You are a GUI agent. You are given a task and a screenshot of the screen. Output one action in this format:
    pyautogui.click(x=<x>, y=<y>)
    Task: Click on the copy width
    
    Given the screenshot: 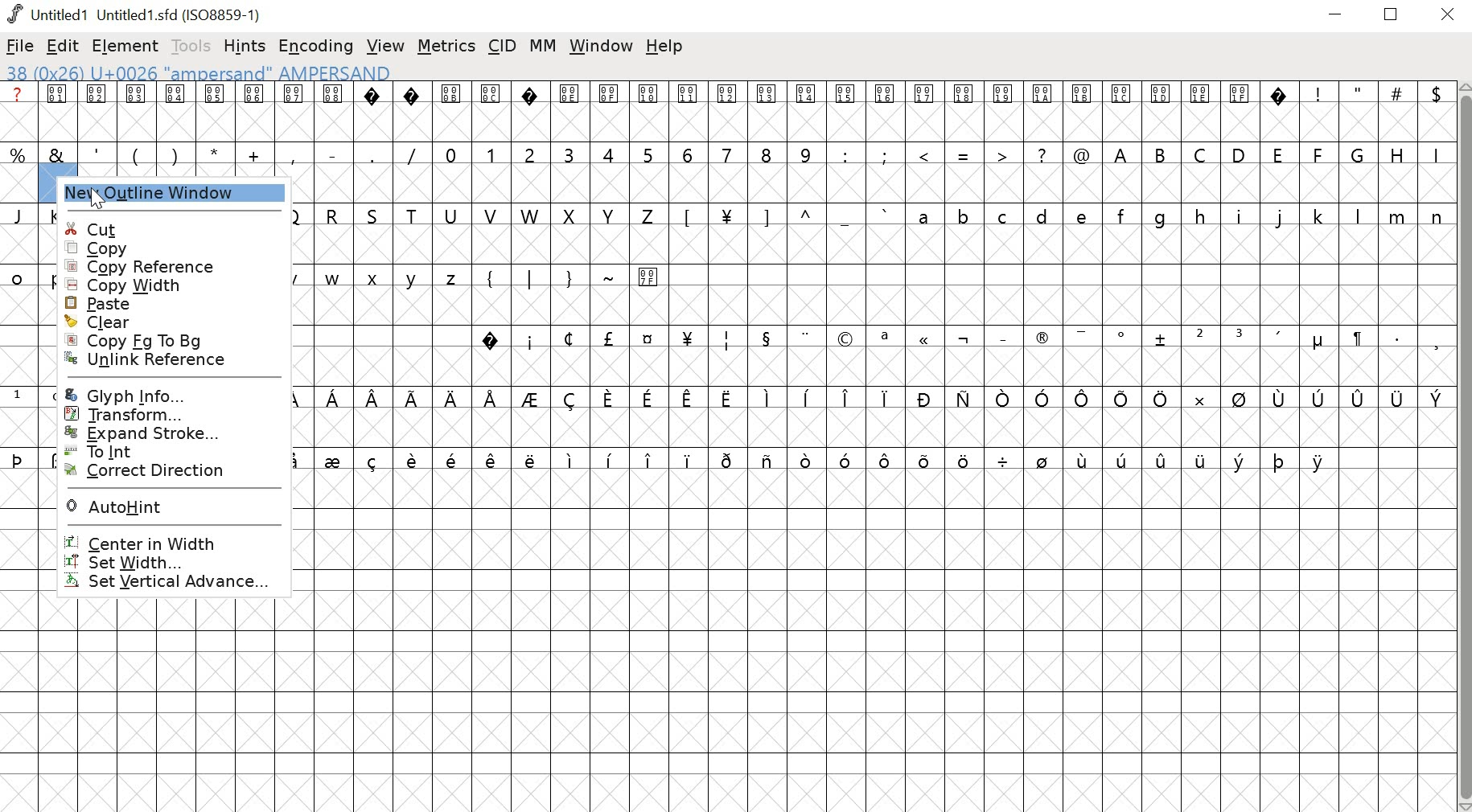 What is the action you would take?
    pyautogui.click(x=177, y=286)
    